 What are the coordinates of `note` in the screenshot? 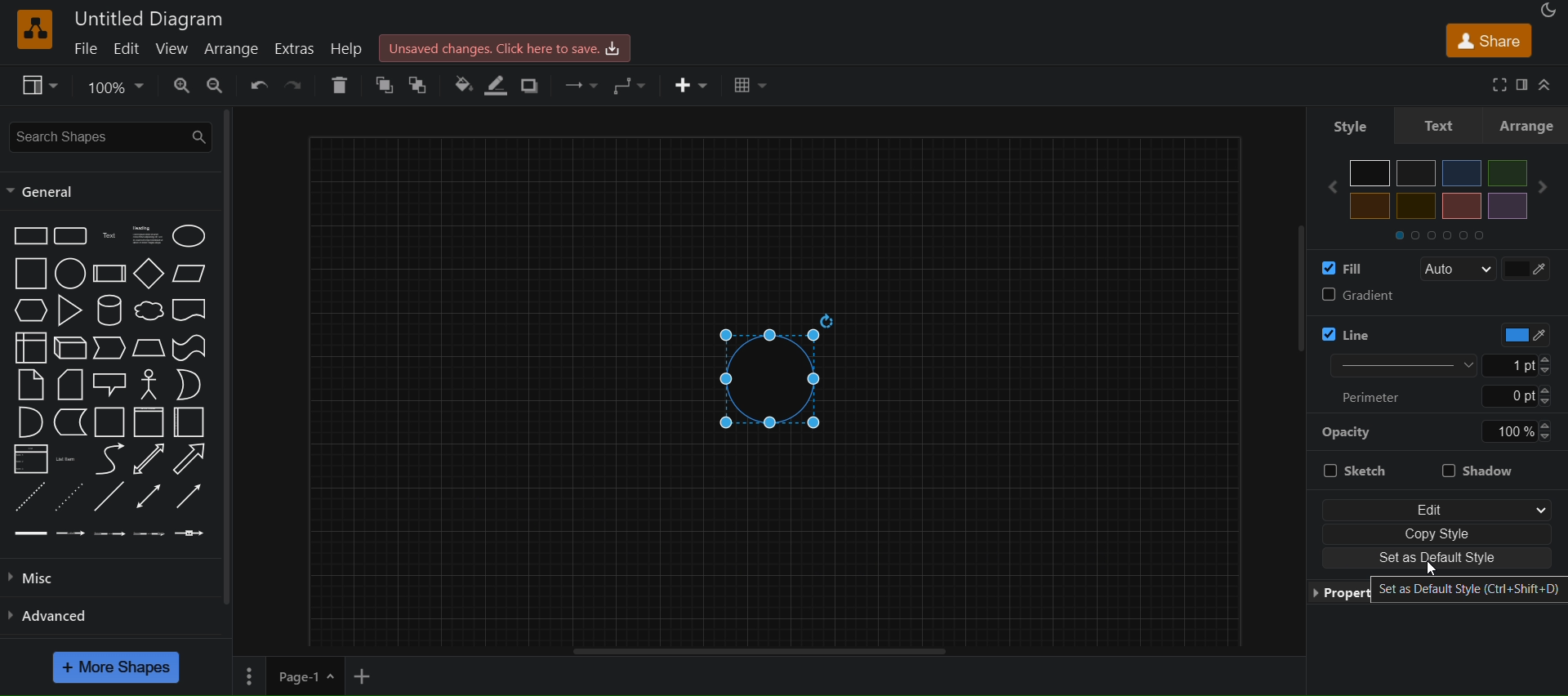 It's located at (29, 384).